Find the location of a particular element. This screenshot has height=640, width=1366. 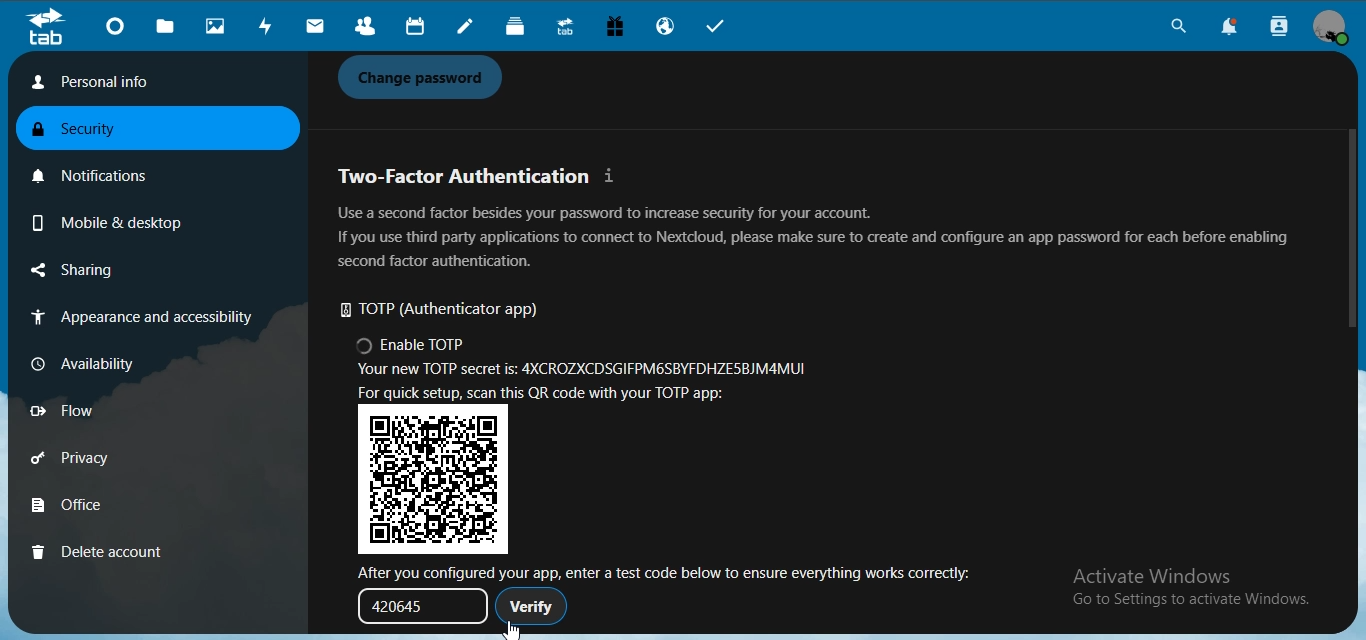

personal info is located at coordinates (149, 82).